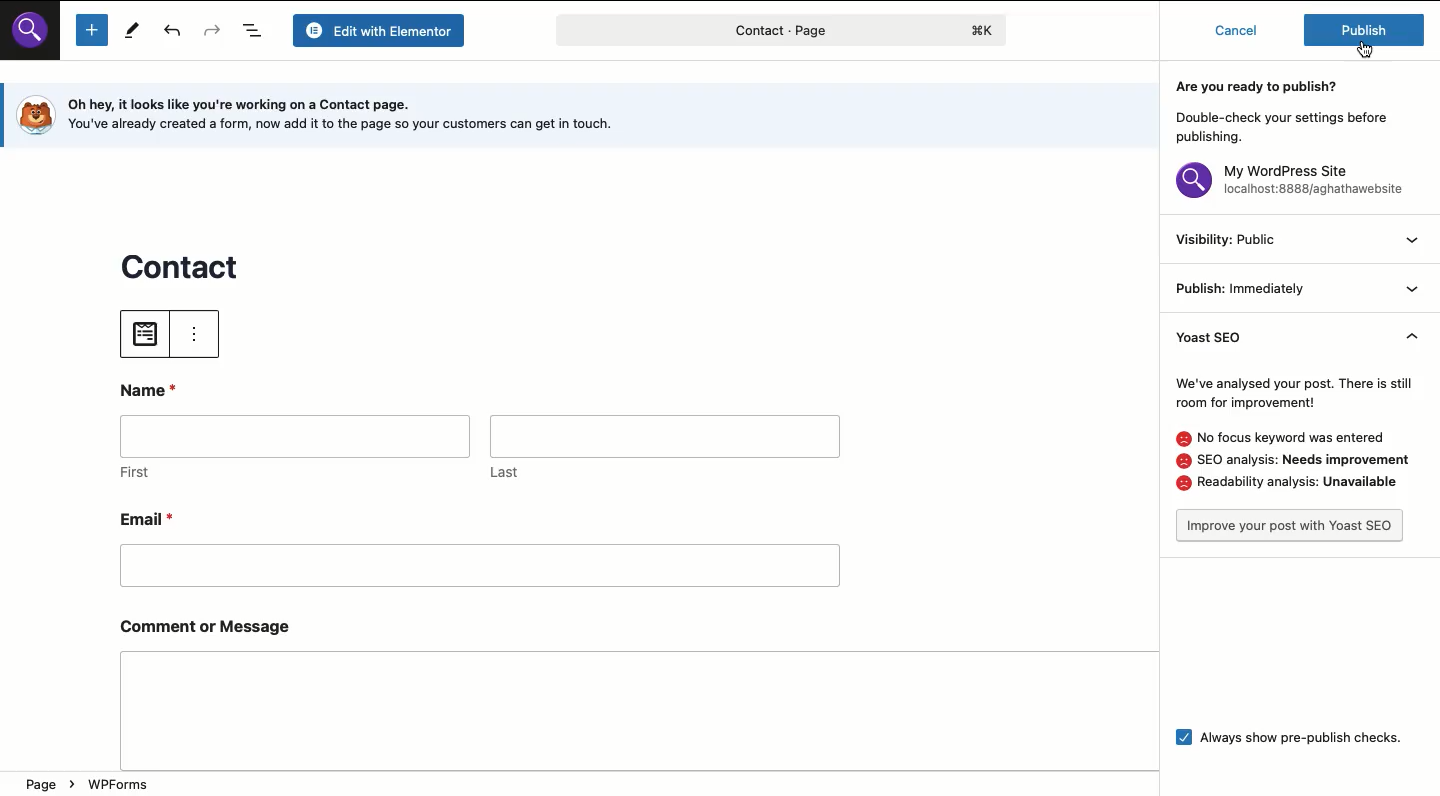 The height and width of the screenshot is (796, 1440). What do you see at coordinates (1235, 32) in the screenshot?
I see `Cancel` at bounding box center [1235, 32].